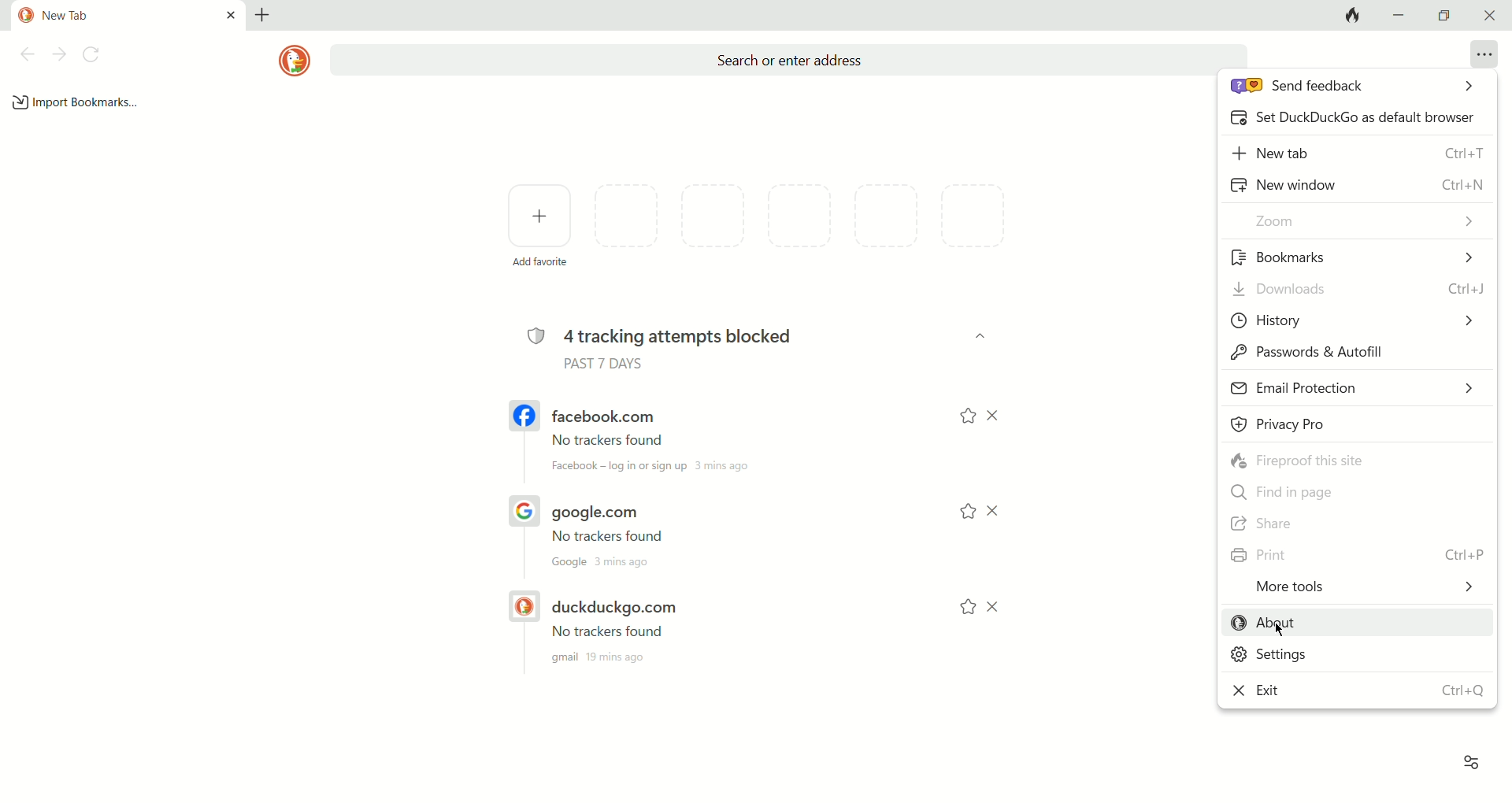  What do you see at coordinates (1357, 91) in the screenshot?
I see `send feedback` at bounding box center [1357, 91].